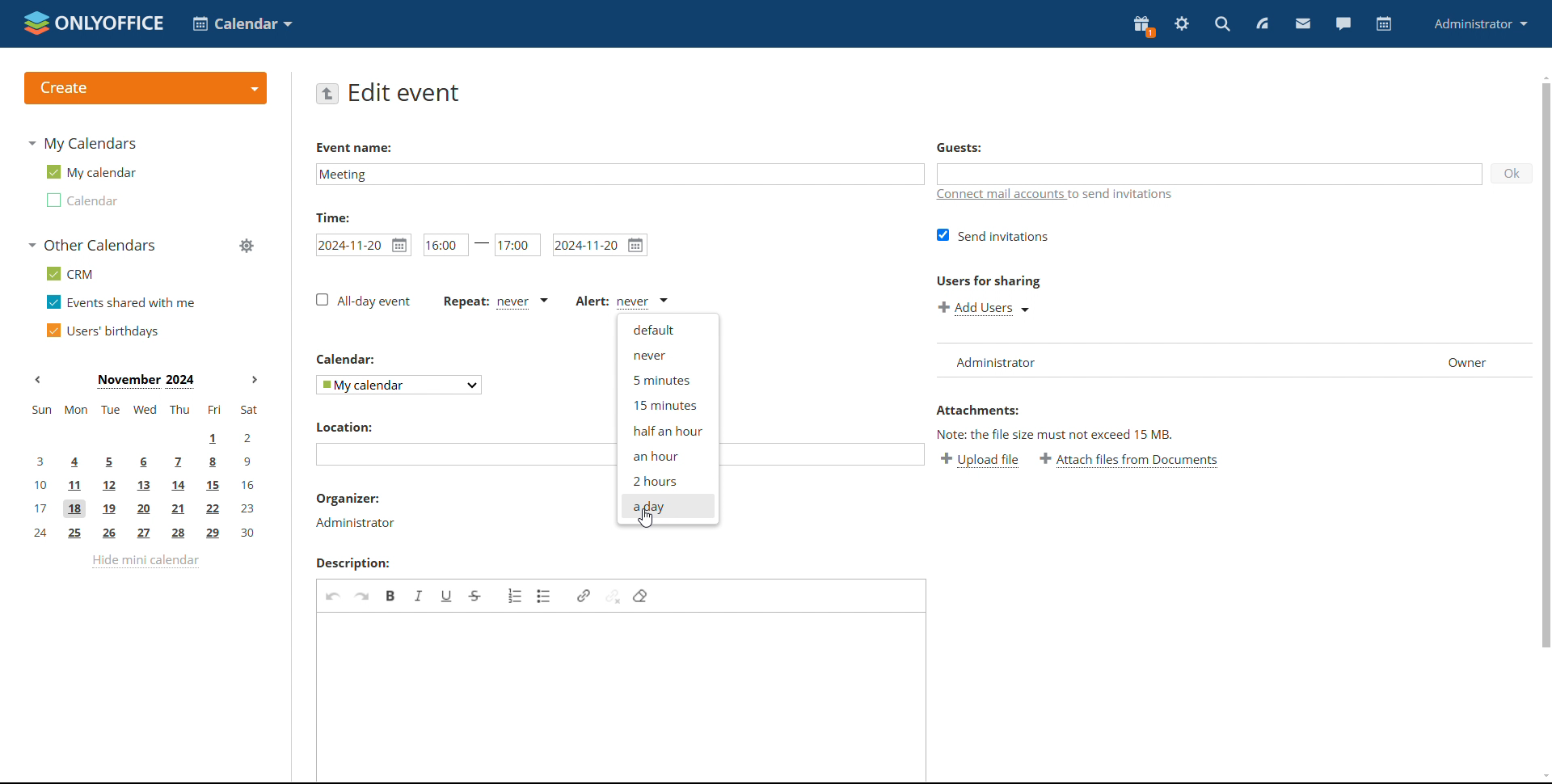 The width and height of the screenshot is (1552, 784). I want to click on add guests, so click(1209, 174).